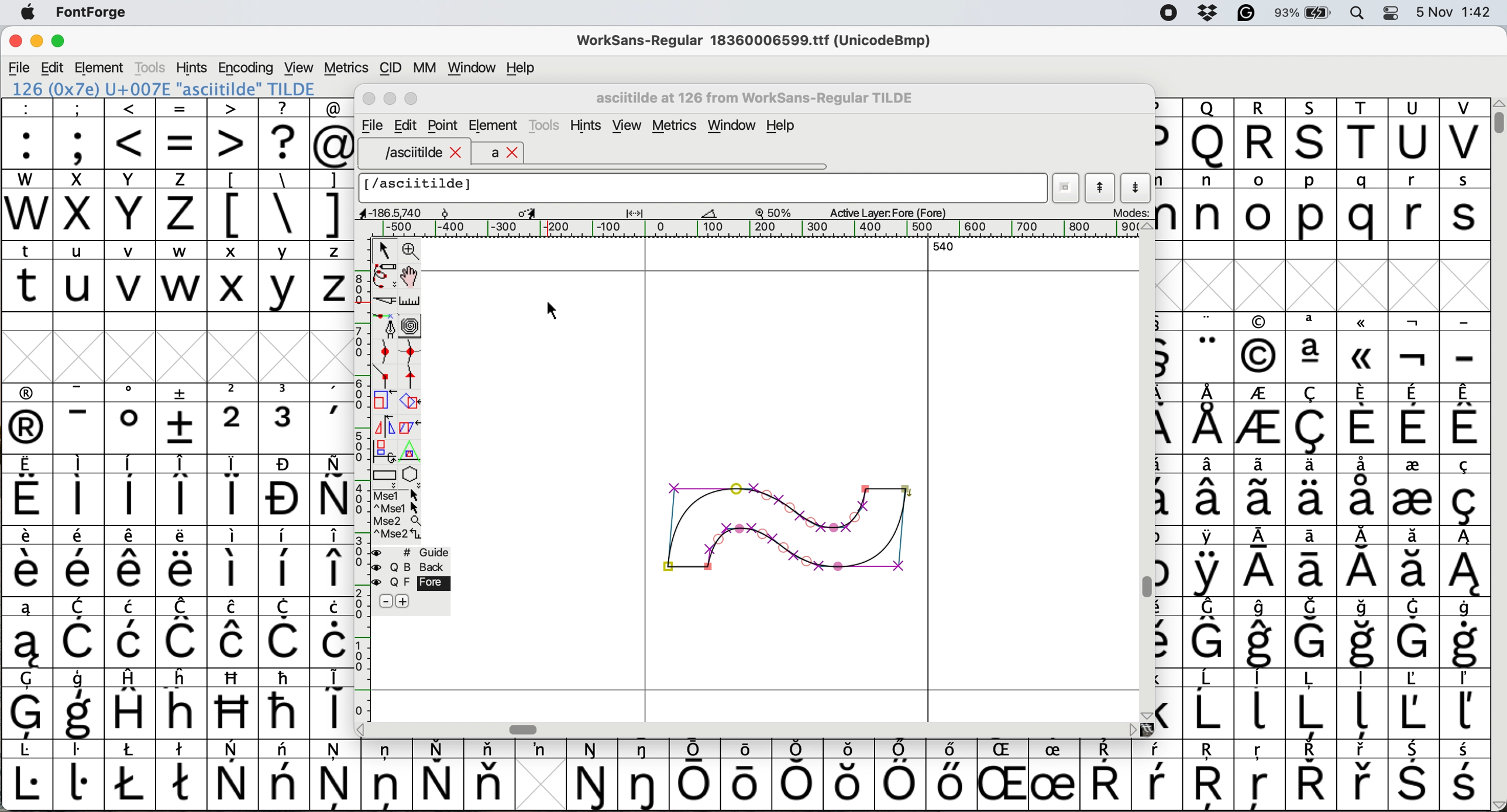  Describe the element at coordinates (35, 42) in the screenshot. I see `minimise` at that location.